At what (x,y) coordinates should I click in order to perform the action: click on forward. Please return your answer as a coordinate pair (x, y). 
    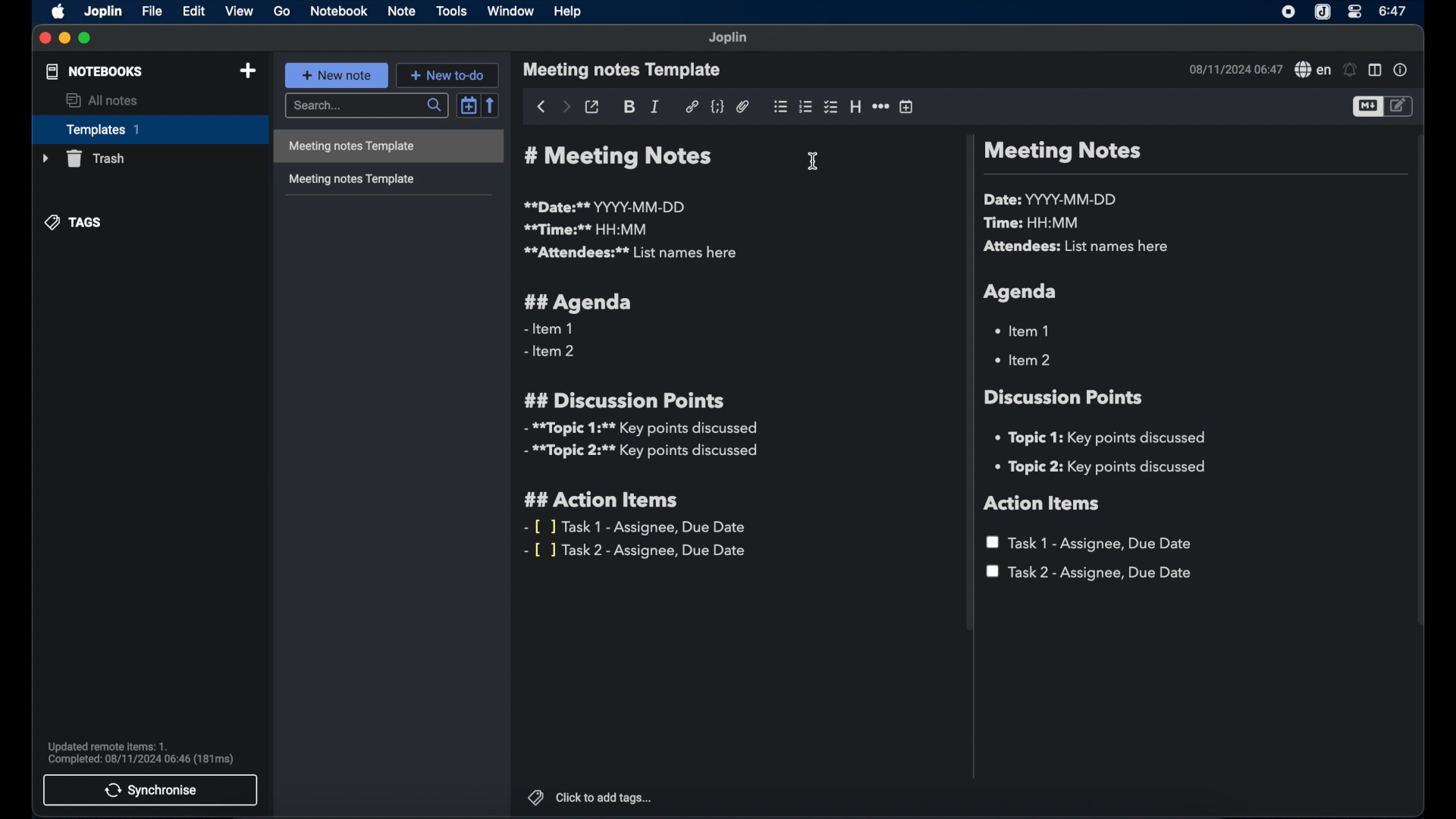
    Looking at the image, I should click on (566, 108).